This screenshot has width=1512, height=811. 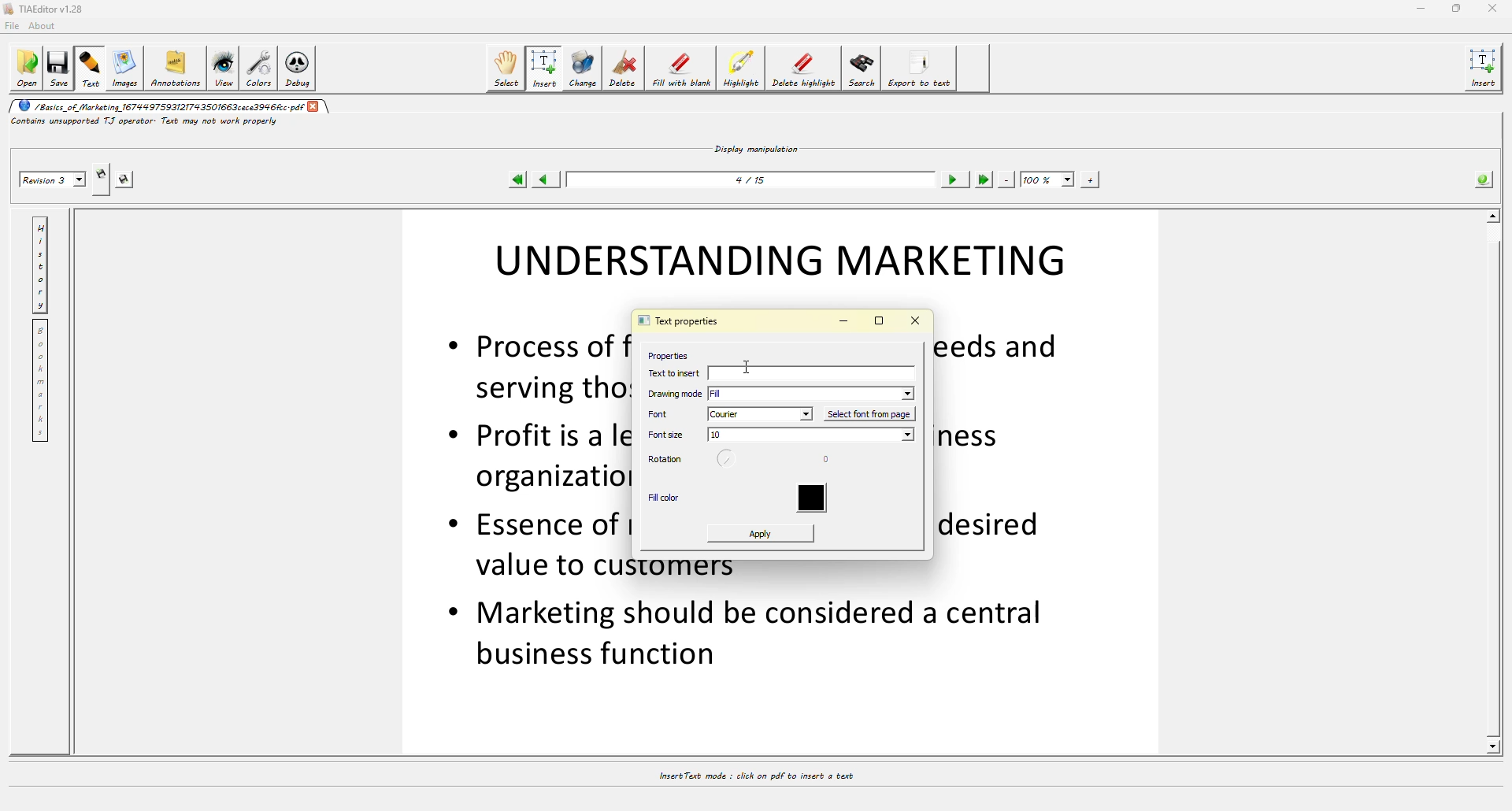 I want to click on revision 3, so click(x=52, y=181).